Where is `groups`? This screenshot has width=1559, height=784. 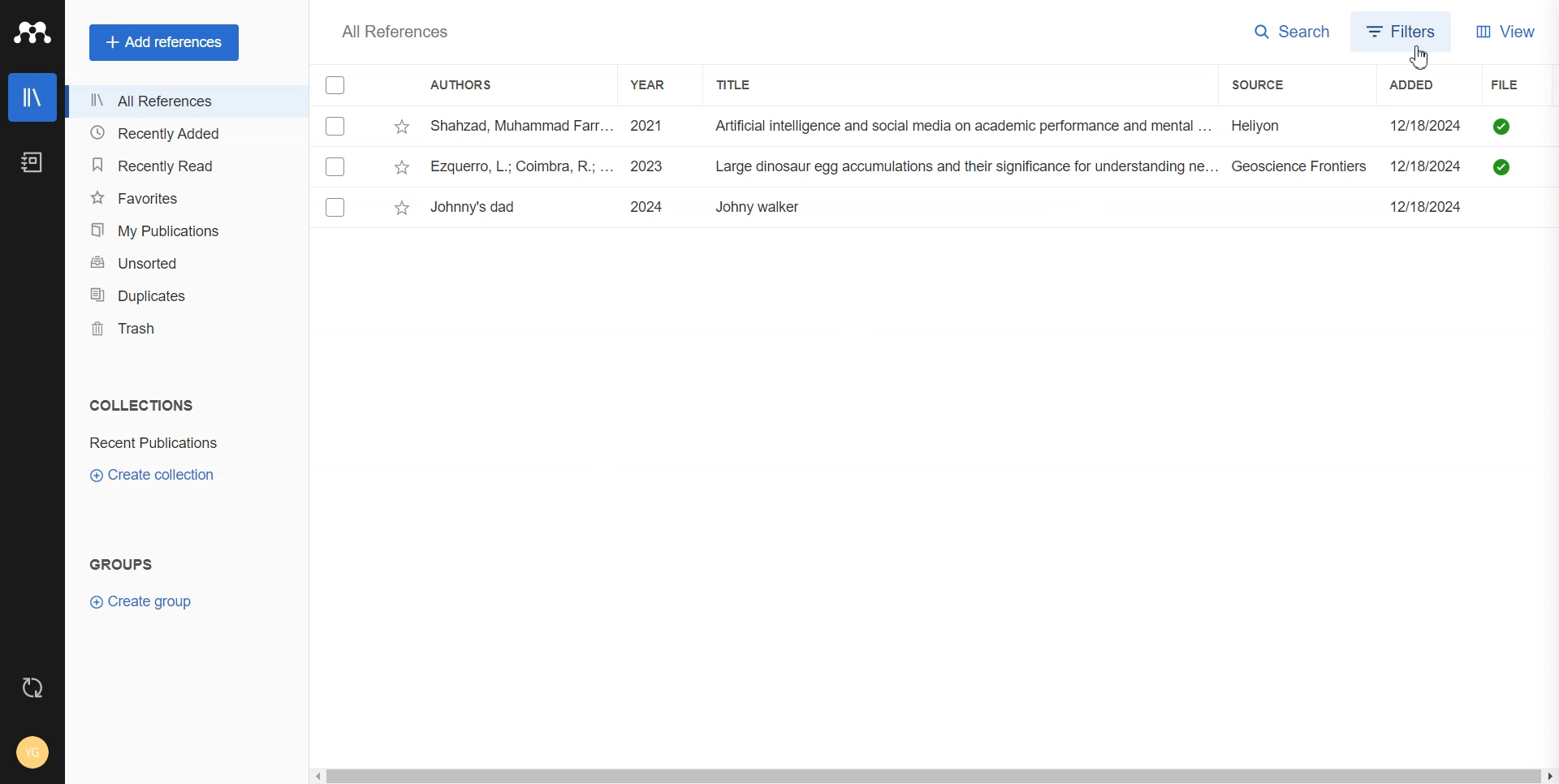
groups is located at coordinates (122, 564).